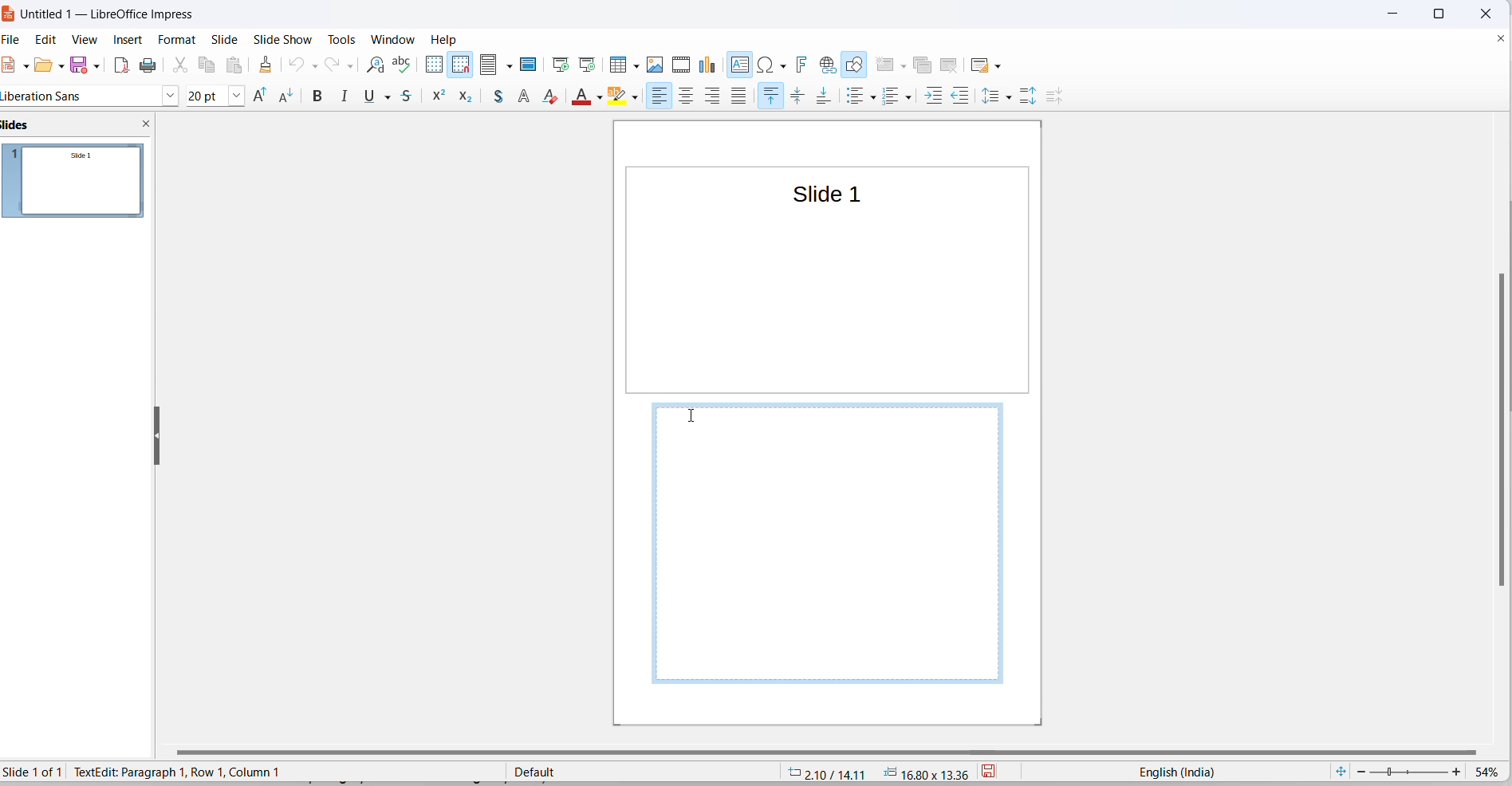 This screenshot has height=786, width=1512. I want to click on master slide, so click(532, 64).